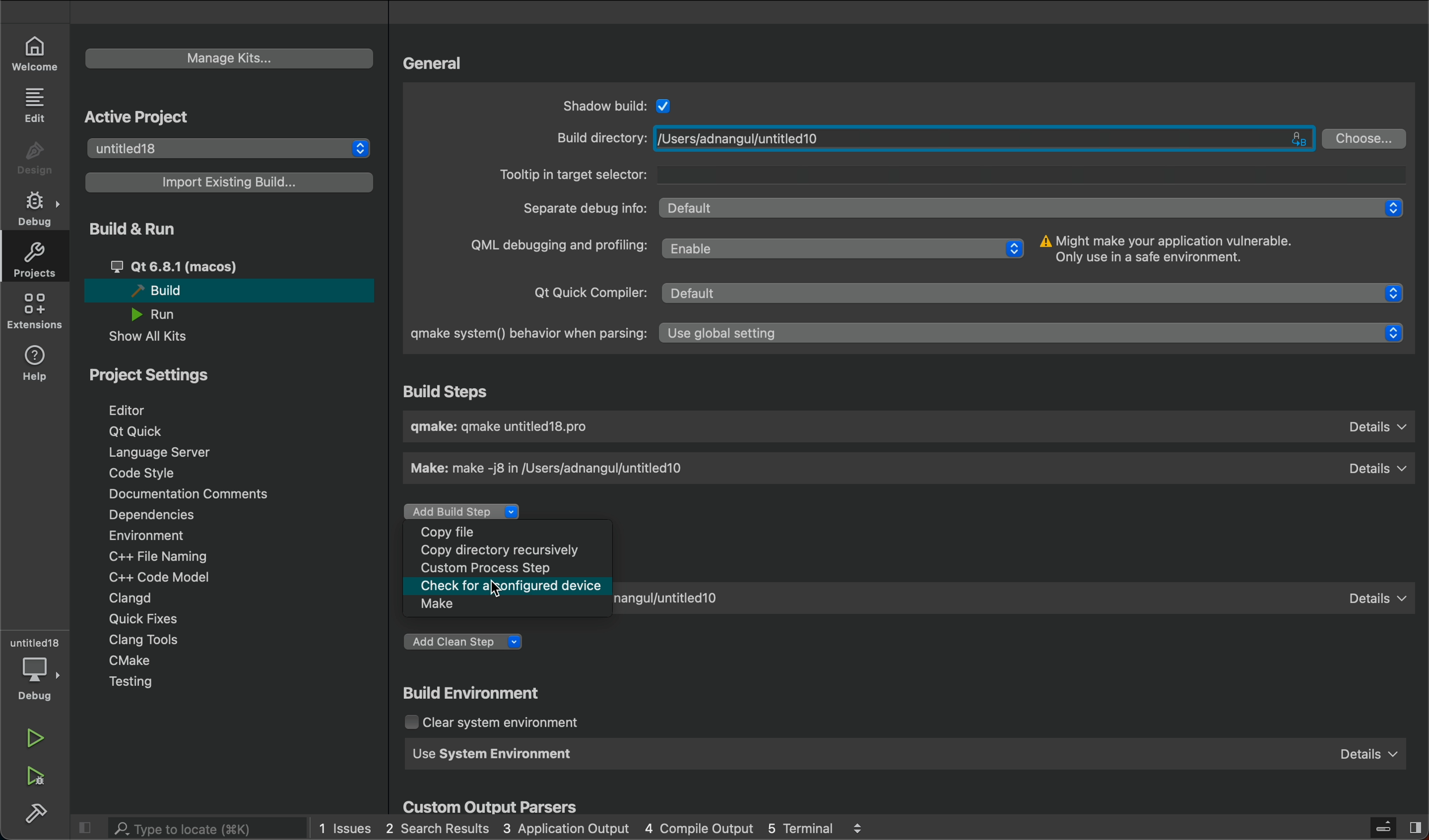  I want to click on Details, so click(1378, 427).